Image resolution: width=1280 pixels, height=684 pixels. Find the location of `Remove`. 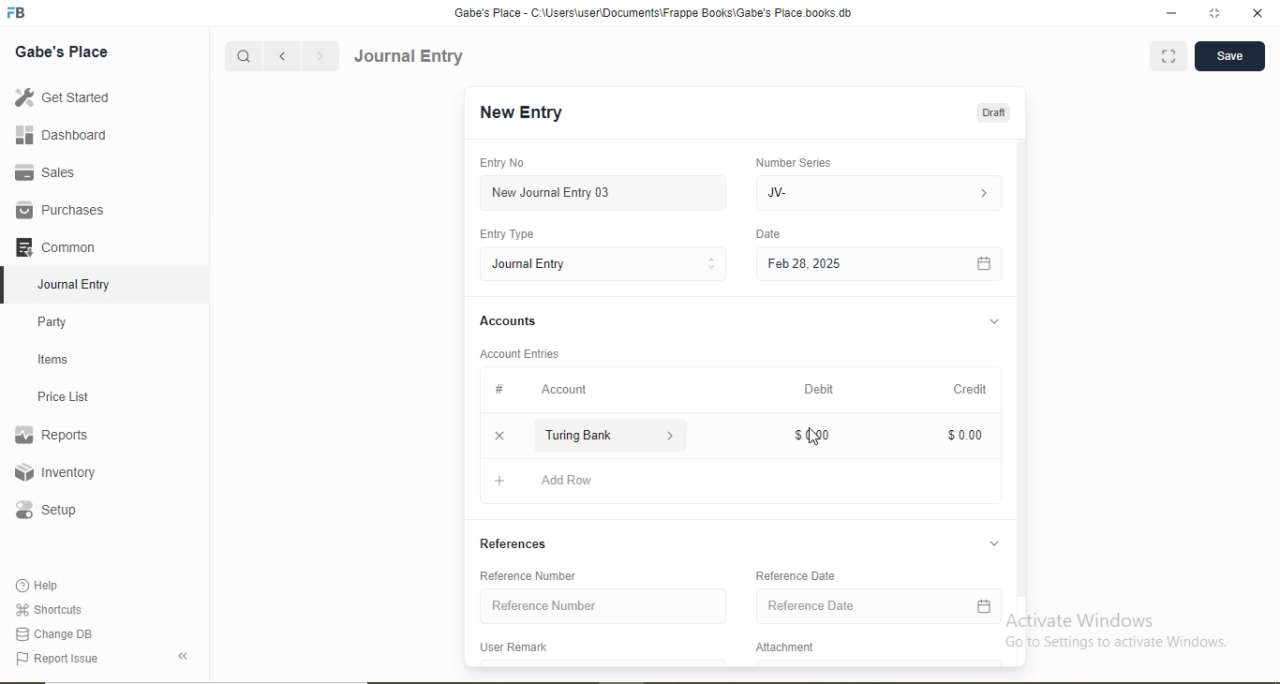

Remove is located at coordinates (499, 436).